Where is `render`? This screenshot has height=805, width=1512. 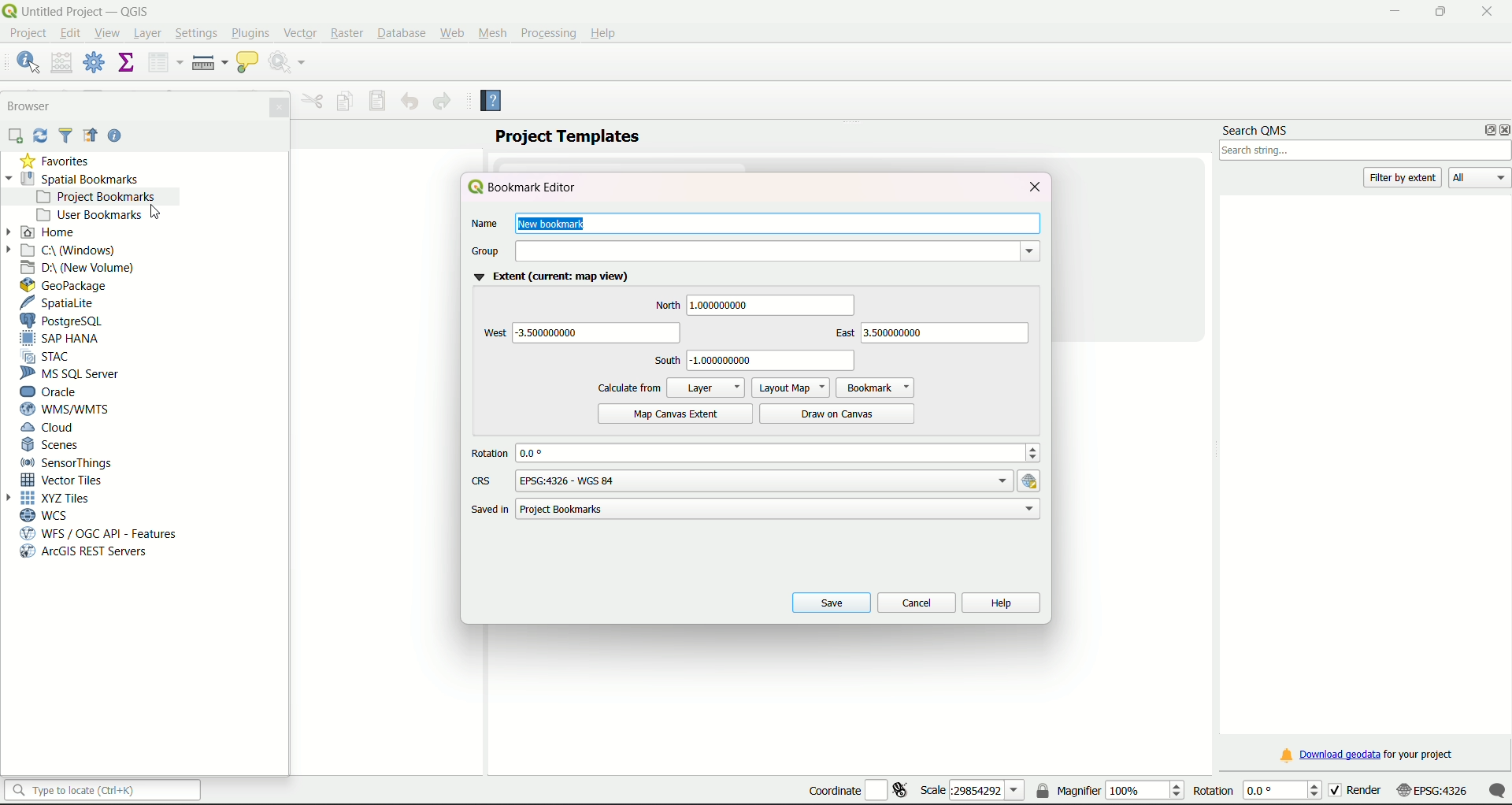
render is located at coordinates (1369, 791).